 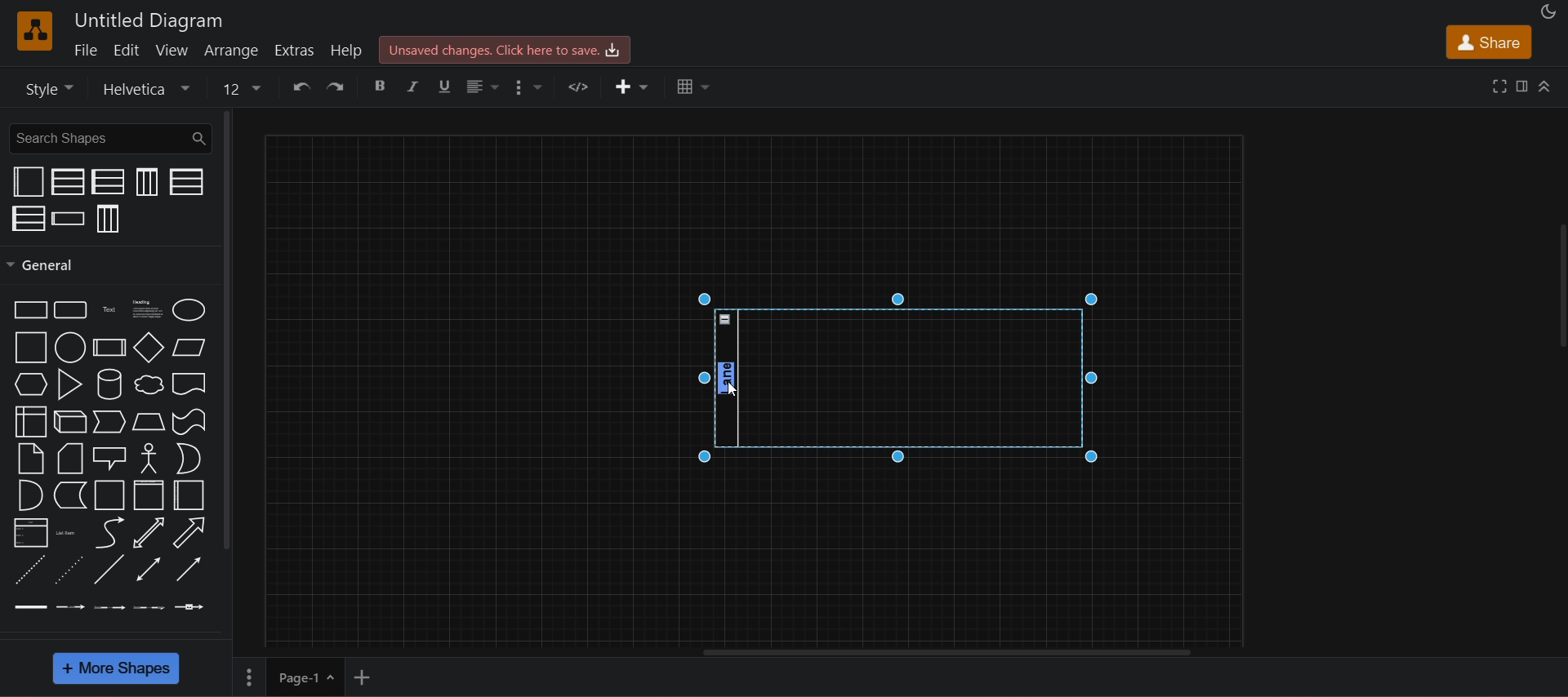 What do you see at coordinates (188, 458) in the screenshot?
I see `or` at bounding box center [188, 458].